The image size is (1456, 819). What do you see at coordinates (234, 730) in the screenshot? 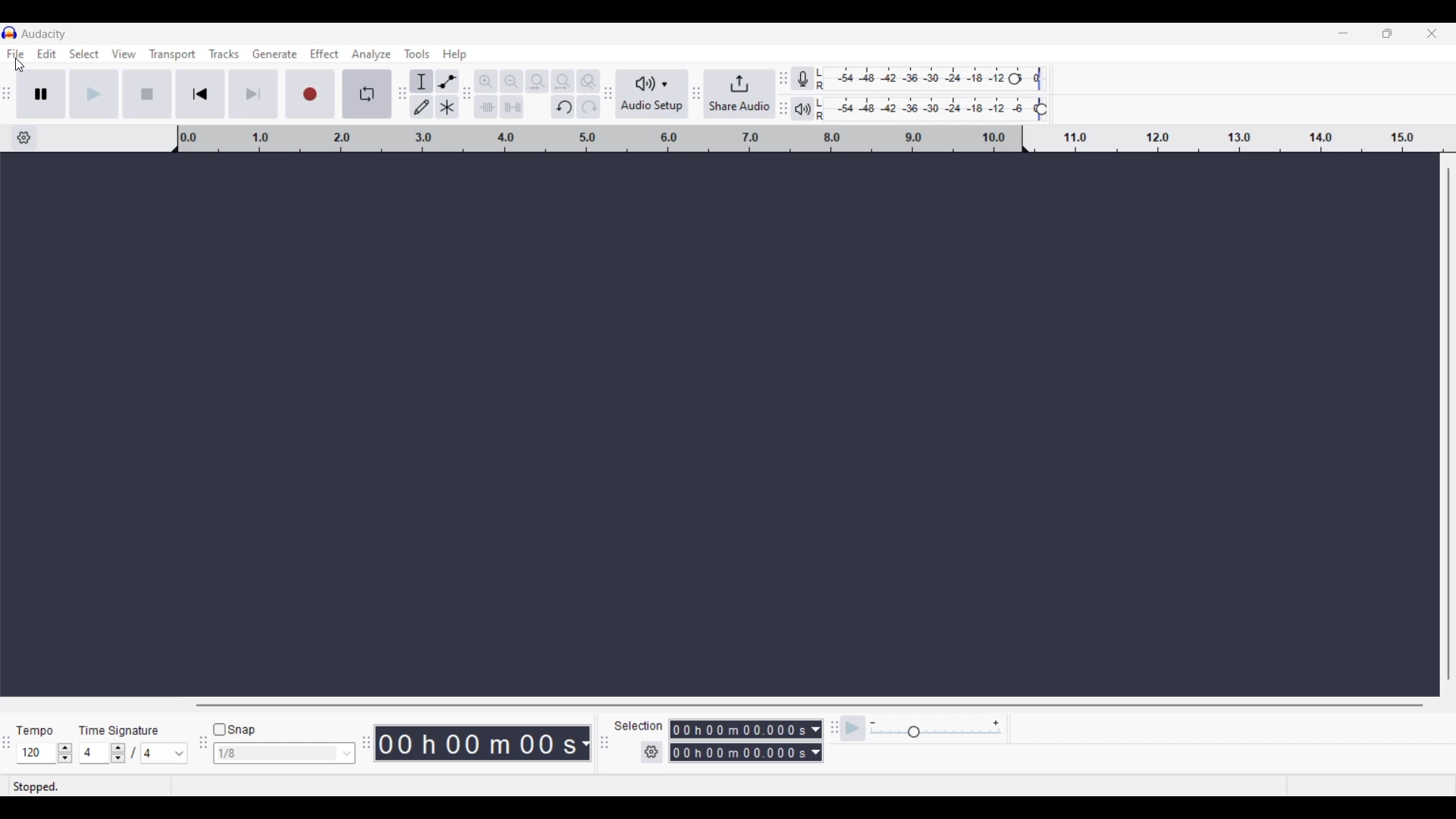
I see `Snap toggle` at bounding box center [234, 730].